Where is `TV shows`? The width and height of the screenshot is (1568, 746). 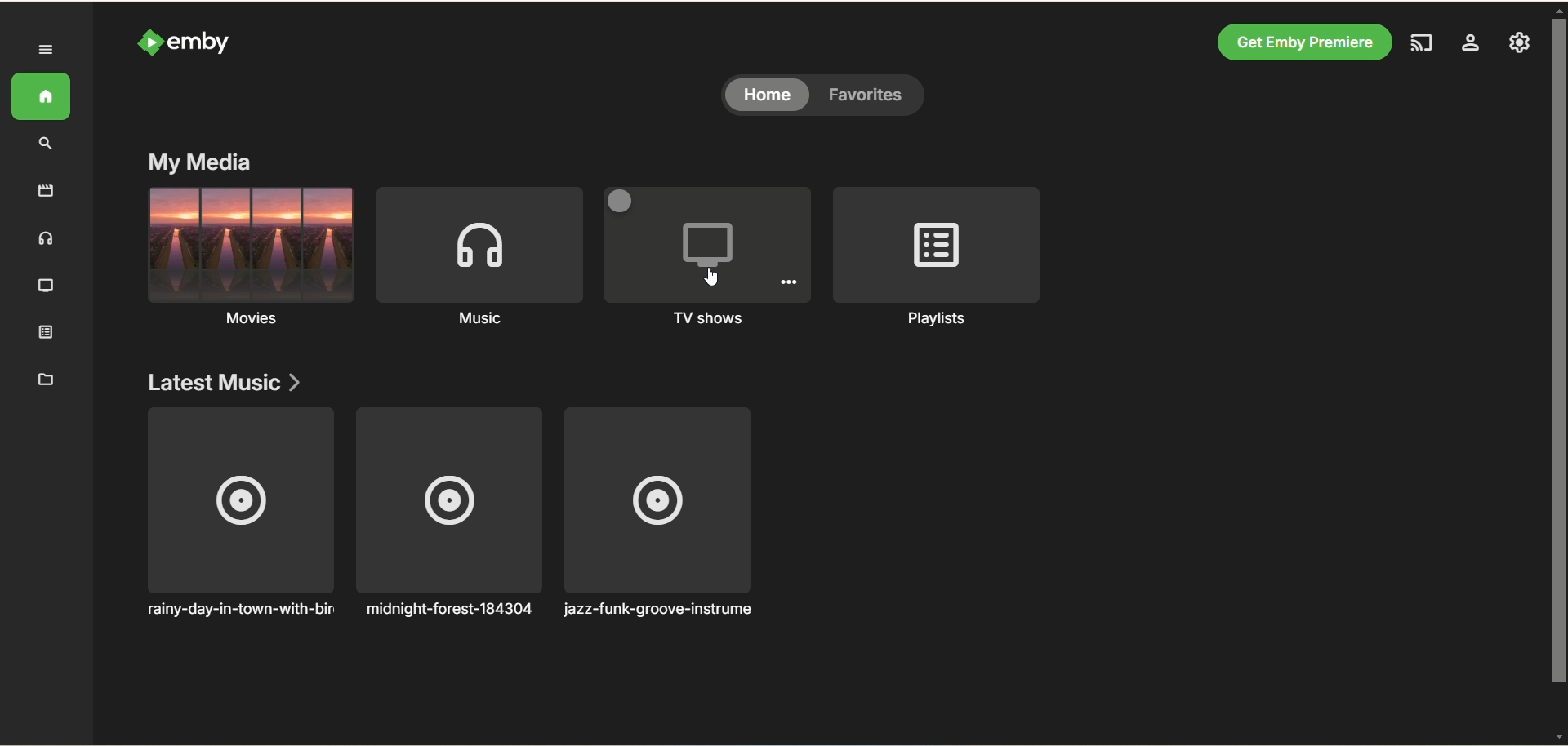 TV shows is located at coordinates (47, 287).